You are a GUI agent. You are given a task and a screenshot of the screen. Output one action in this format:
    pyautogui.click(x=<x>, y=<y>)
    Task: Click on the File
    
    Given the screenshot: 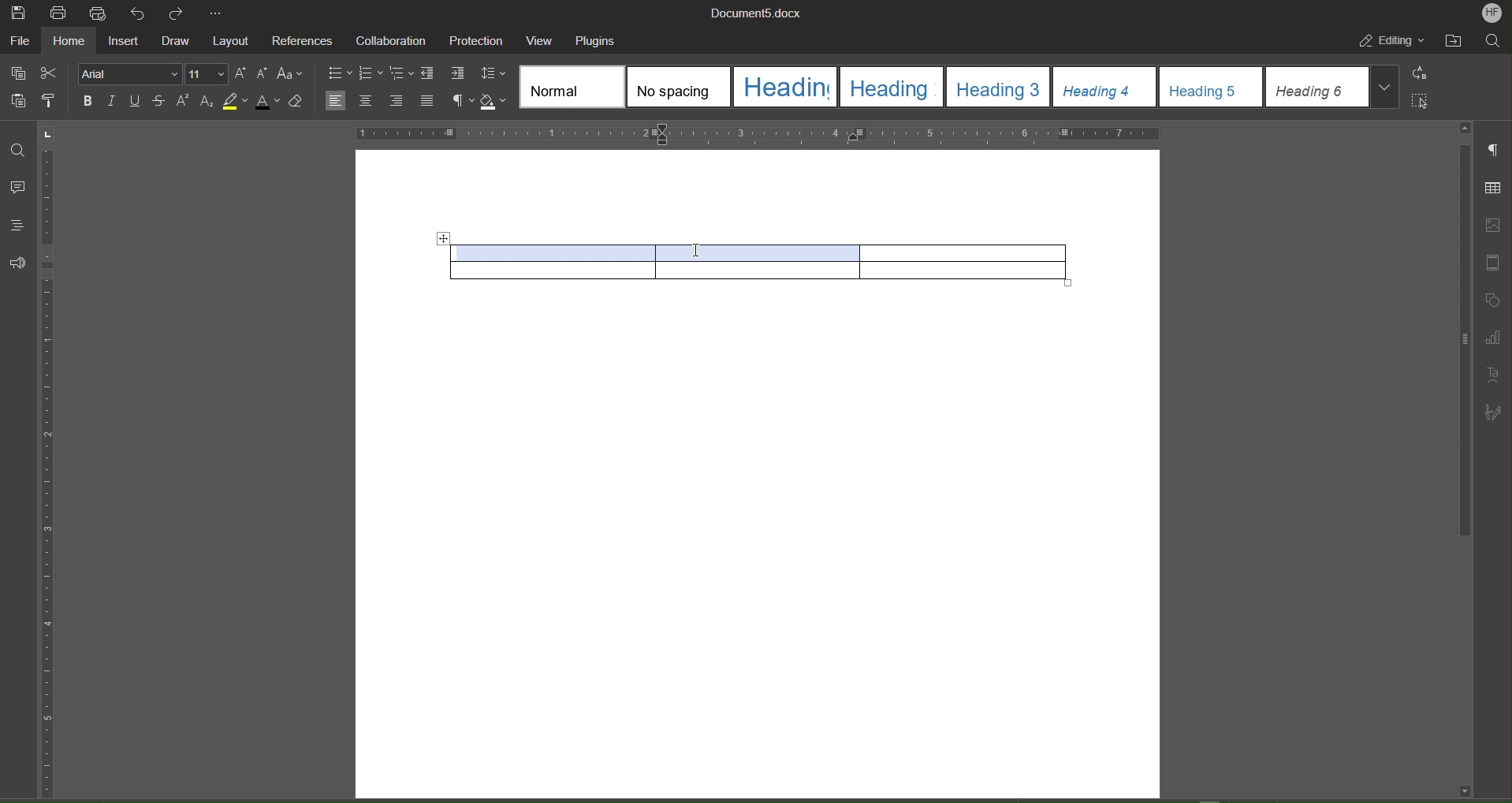 What is the action you would take?
    pyautogui.click(x=20, y=43)
    